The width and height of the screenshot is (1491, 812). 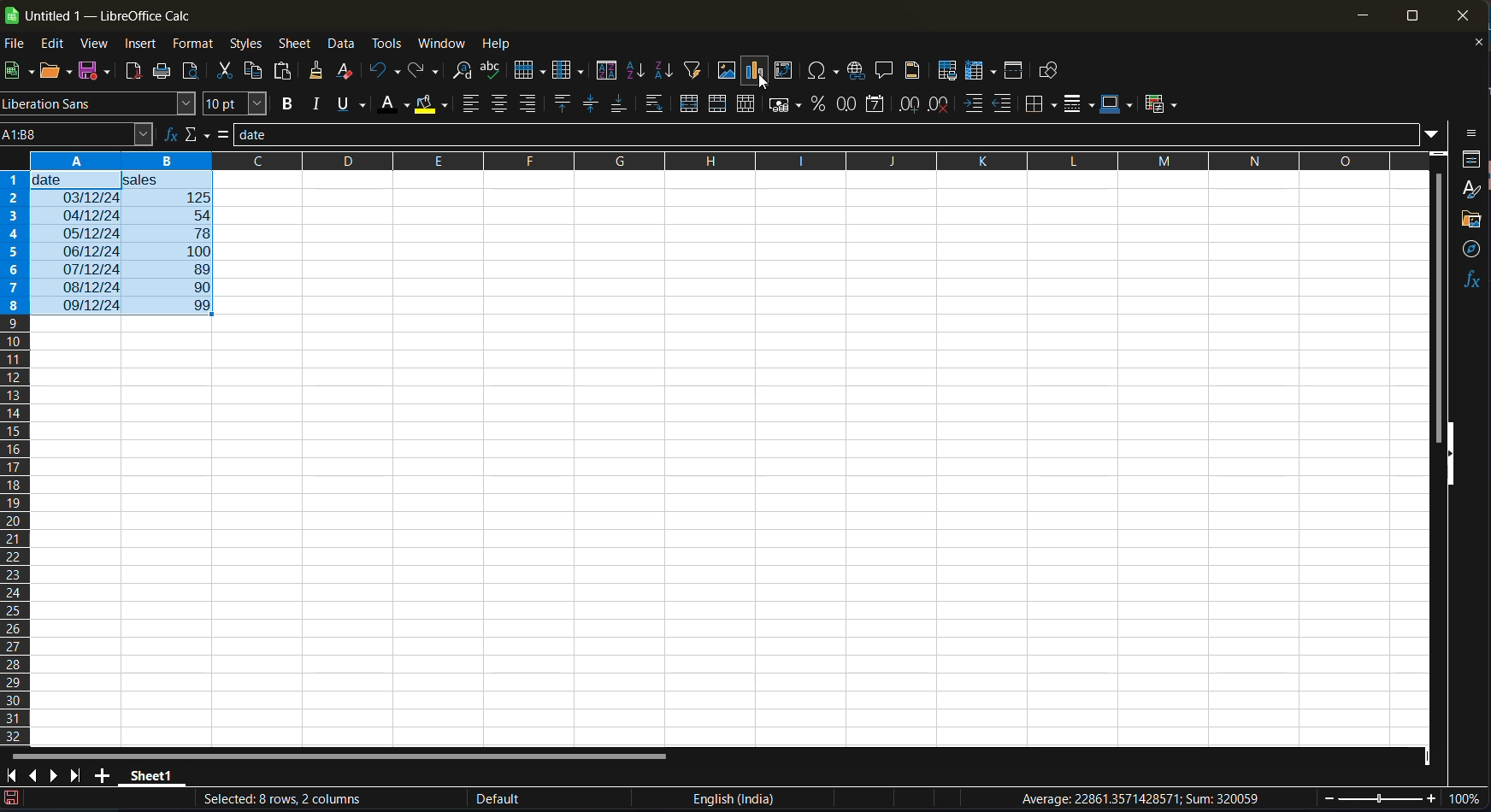 I want to click on help, so click(x=505, y=44).